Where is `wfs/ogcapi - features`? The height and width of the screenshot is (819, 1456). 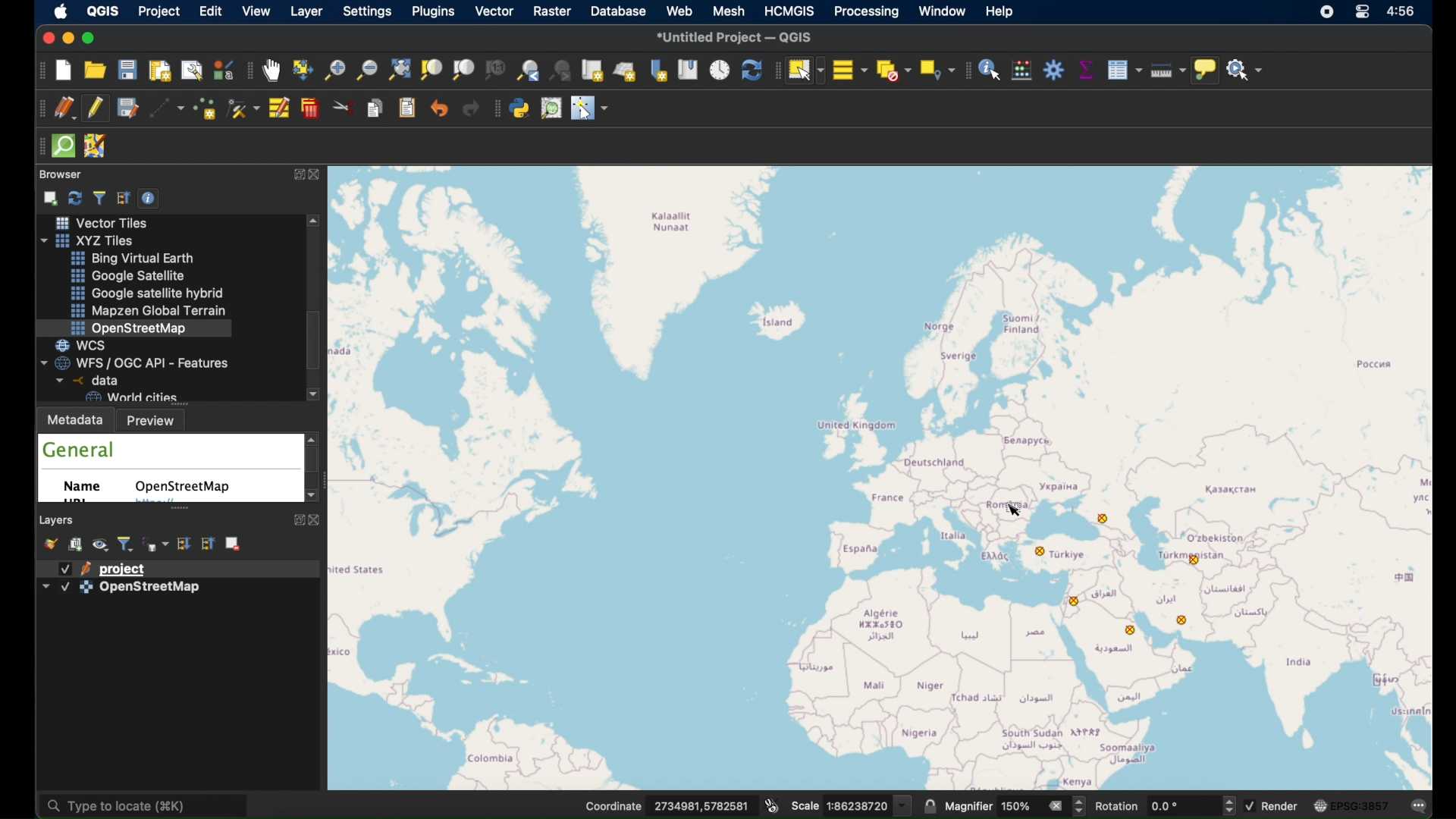 wfs/ogcapi - features is located at coordinates (136, 362).